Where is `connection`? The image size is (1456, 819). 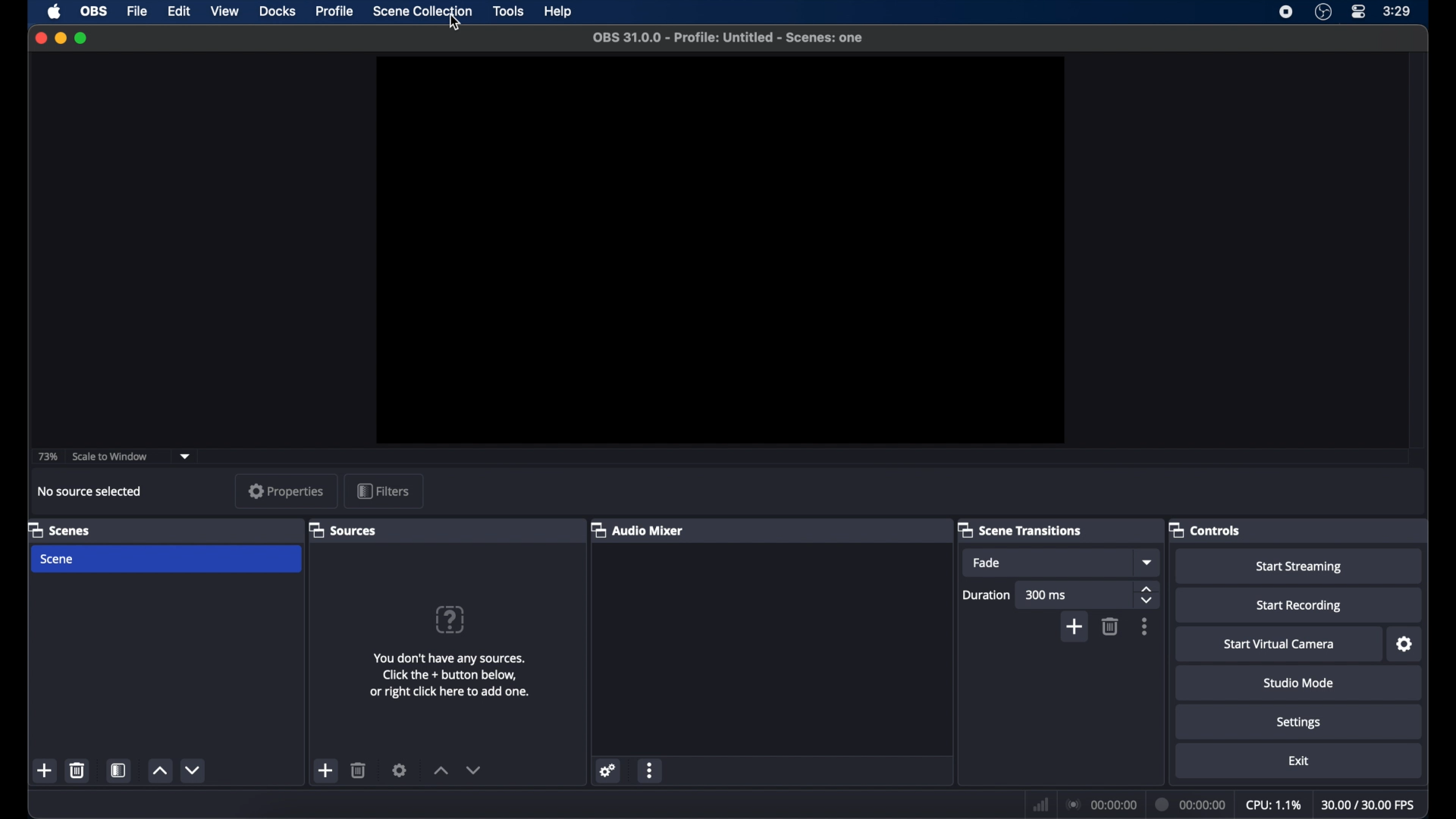
connection is located at coordinates (1100, 804).